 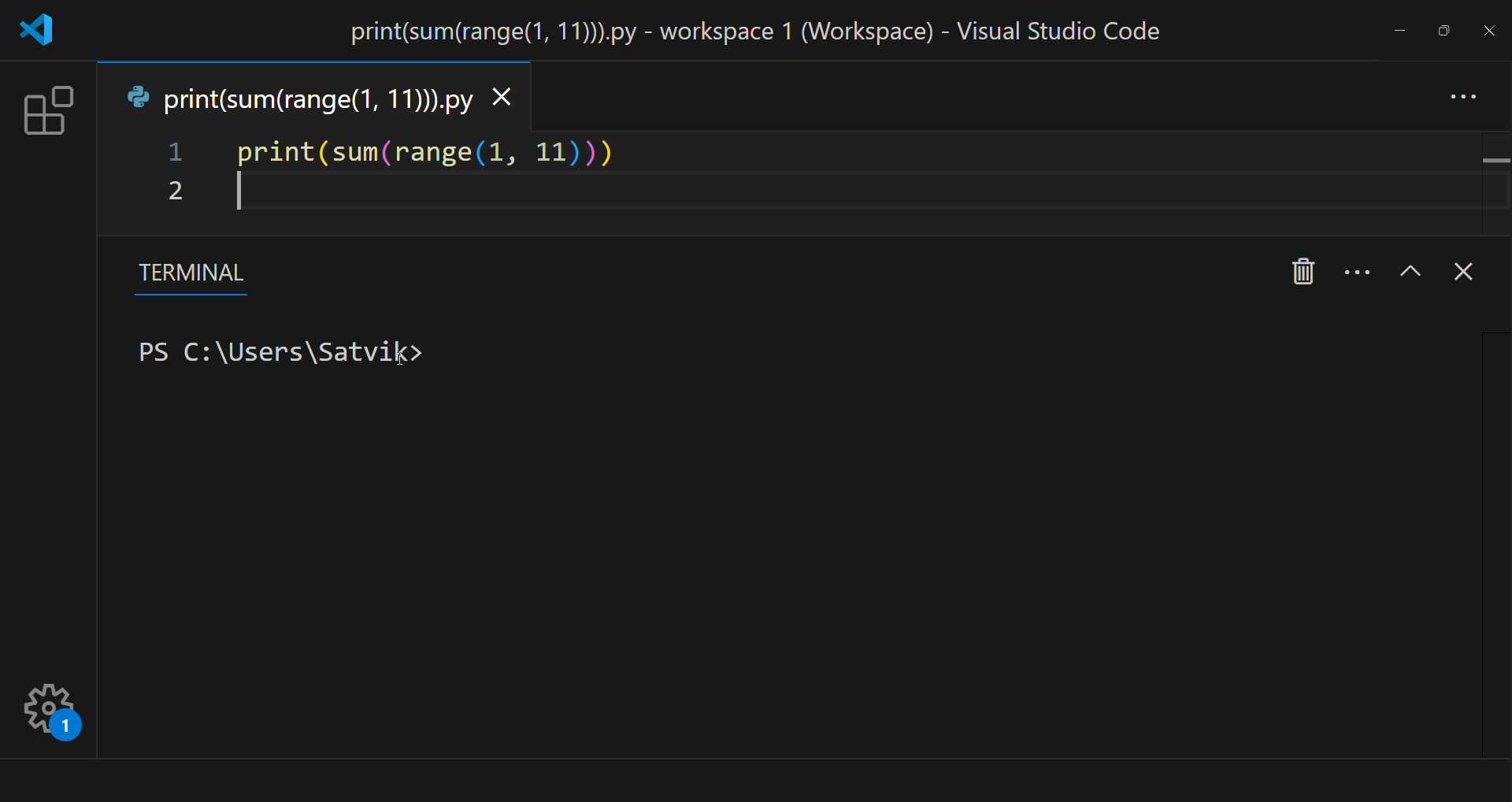 What do you see at coordinates (241, 195) in the screenshot?
I see `start writing` at bounding box center [241, 195].